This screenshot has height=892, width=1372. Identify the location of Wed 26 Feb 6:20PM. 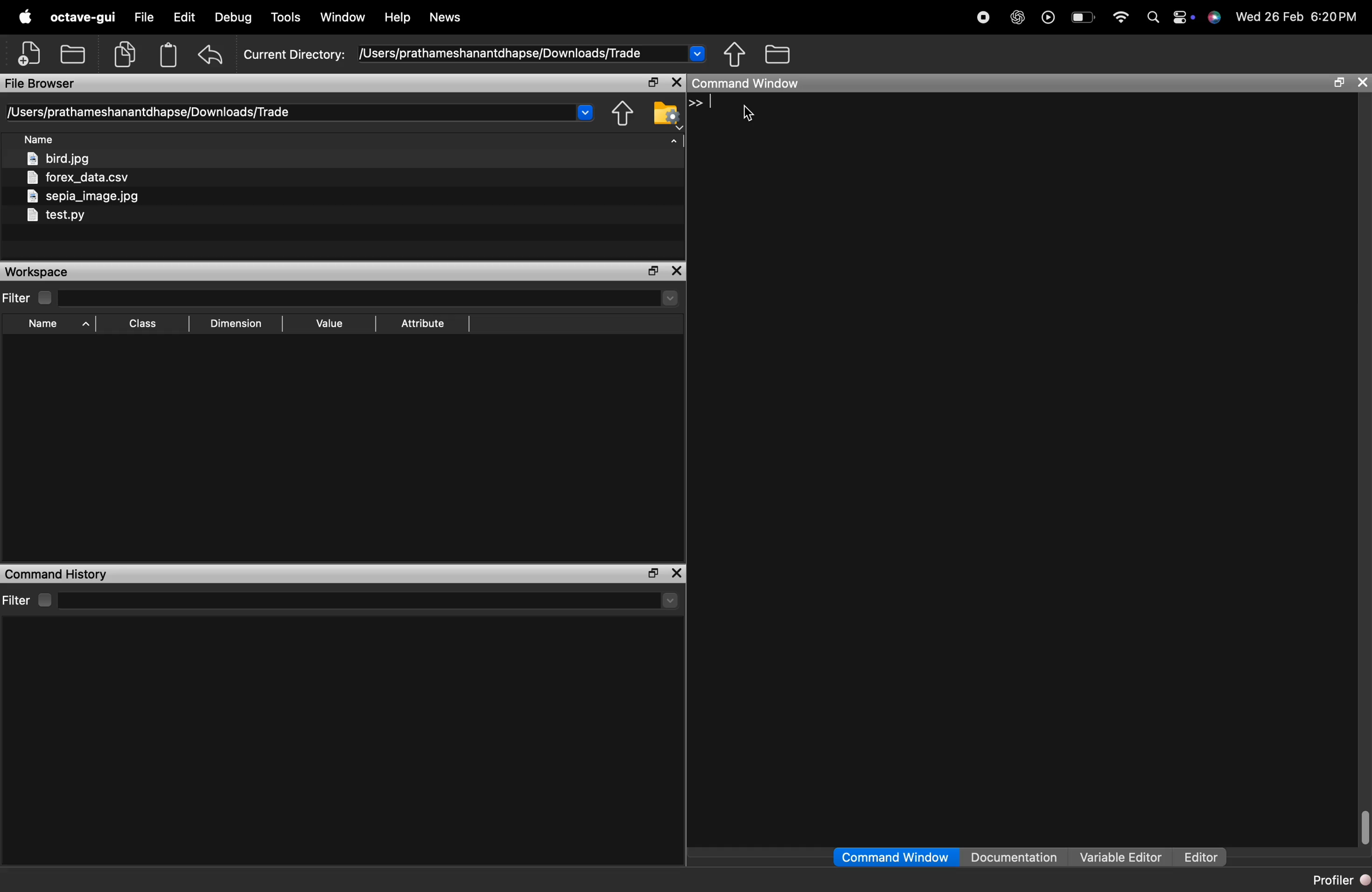
(1299, 16).